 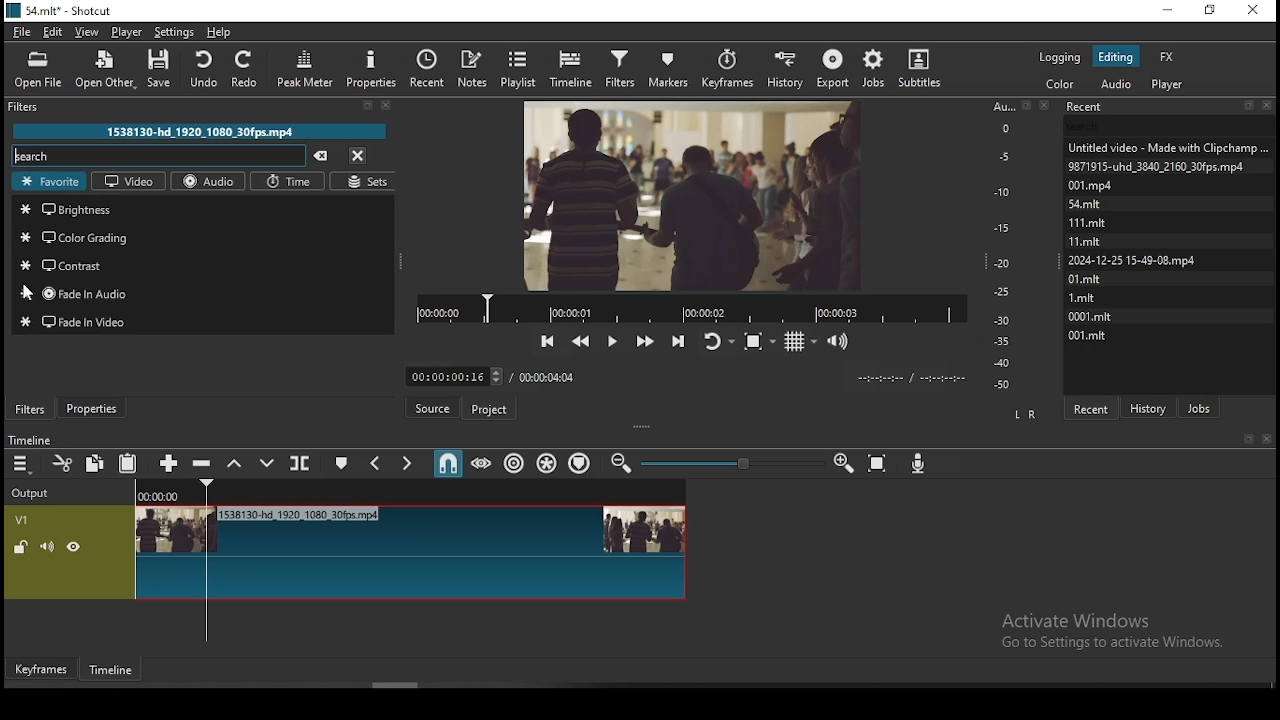 I want to click on favorite, so click(x=49, y=181).